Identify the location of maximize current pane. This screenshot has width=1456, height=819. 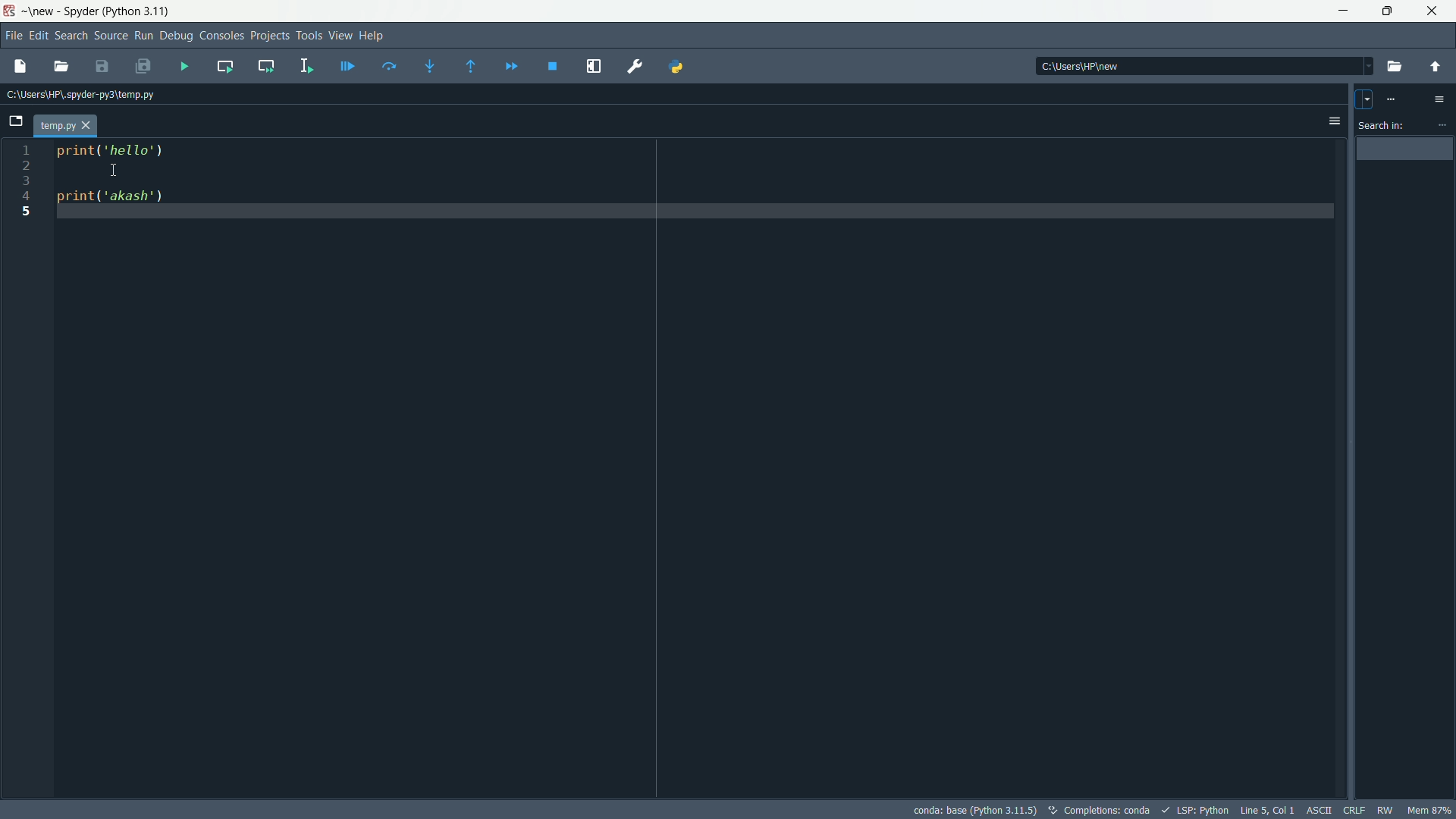
(595, 67).